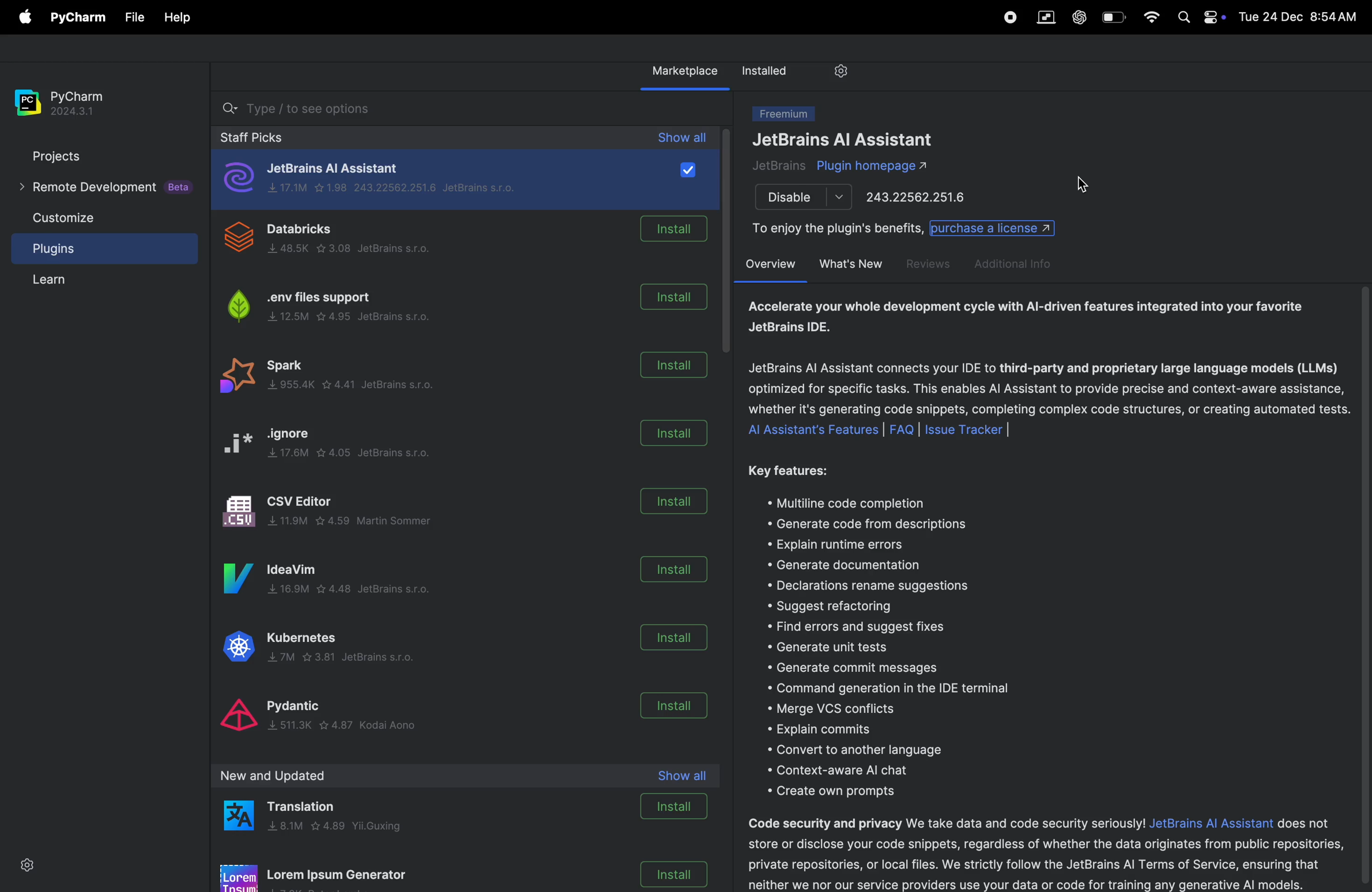 Image resolution: width=1372 pixels, height=892 pixels. What do you see at coordinates (675, 236) in the screenshot?
I see `install` at bounding box center [675, 236].